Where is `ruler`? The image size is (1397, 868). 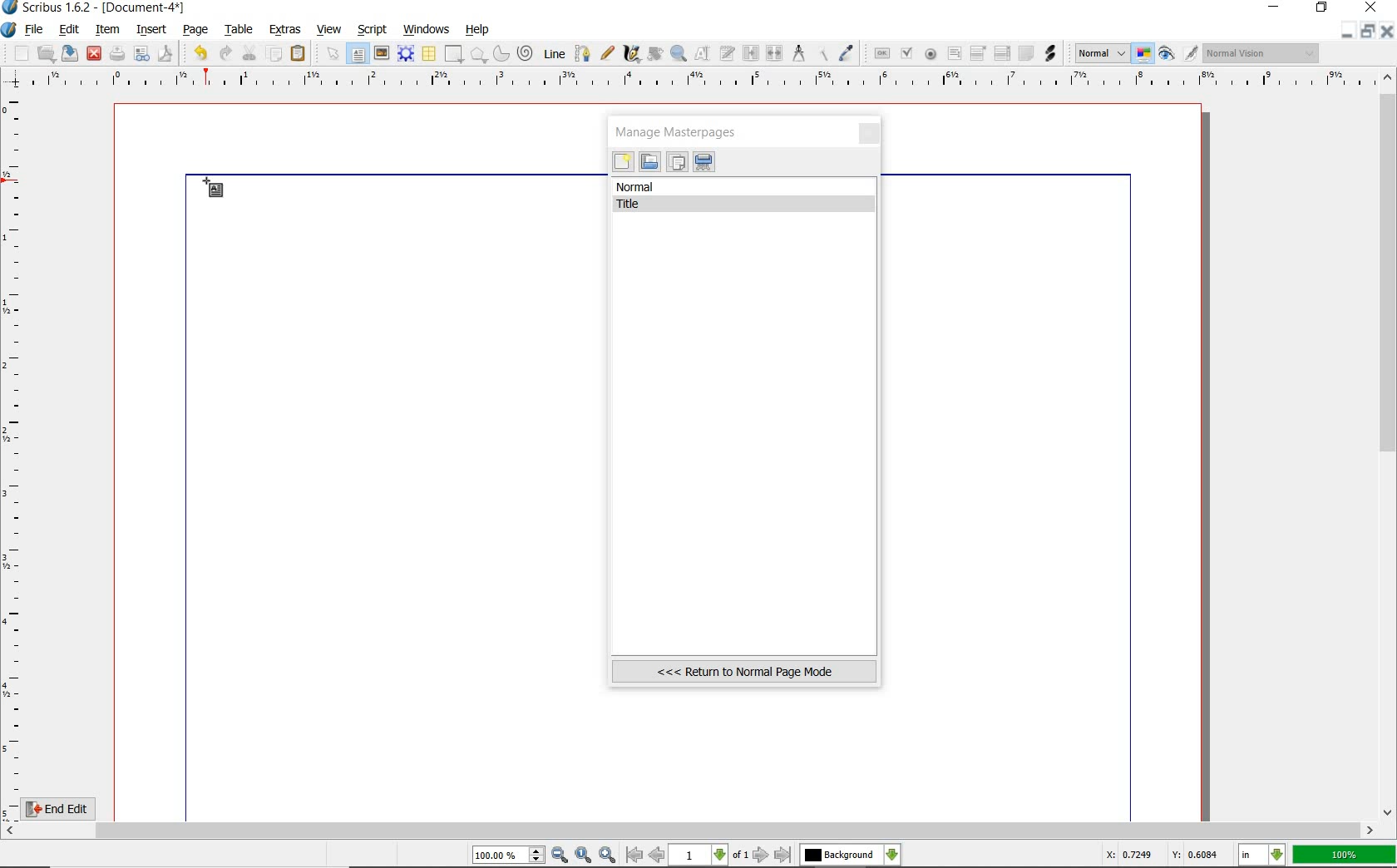 ruler is located at coordinates (15, 454).